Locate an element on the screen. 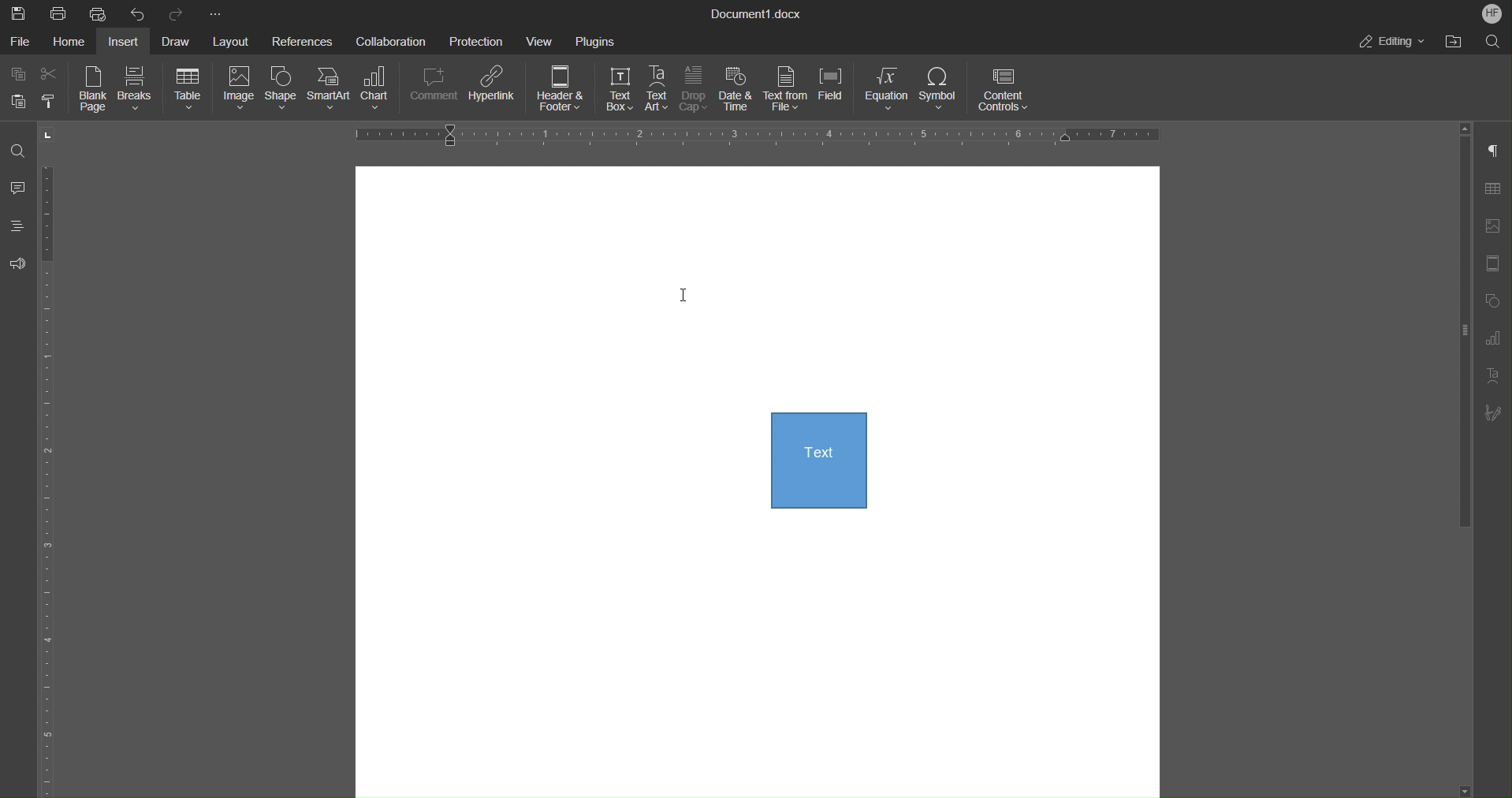 The height and width of the screenshot is (798, 1512). Content Controls is located at coordinates (1007, 91).